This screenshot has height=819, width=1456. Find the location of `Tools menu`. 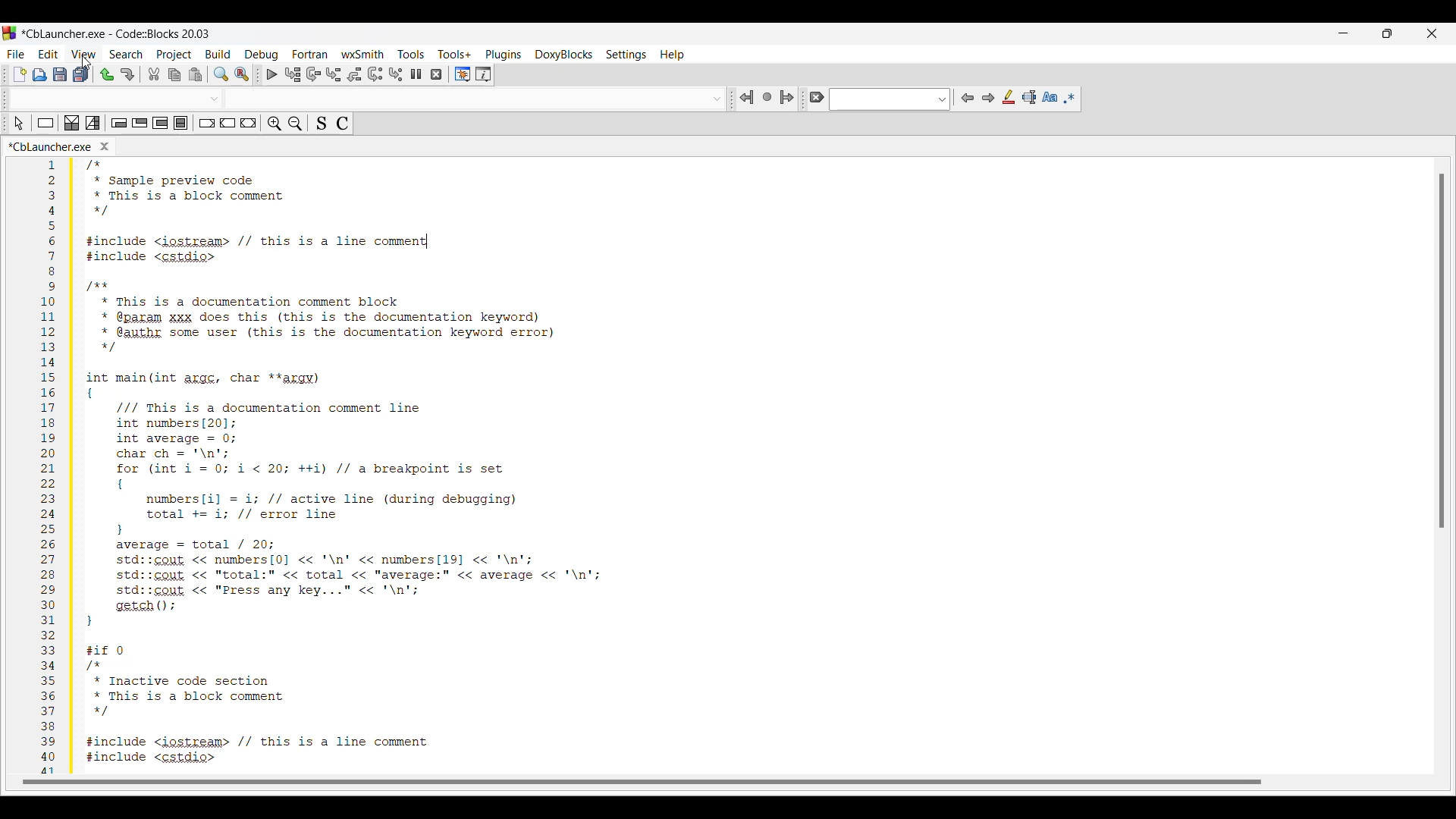

Tools menu is located at coordinates (411, 54).